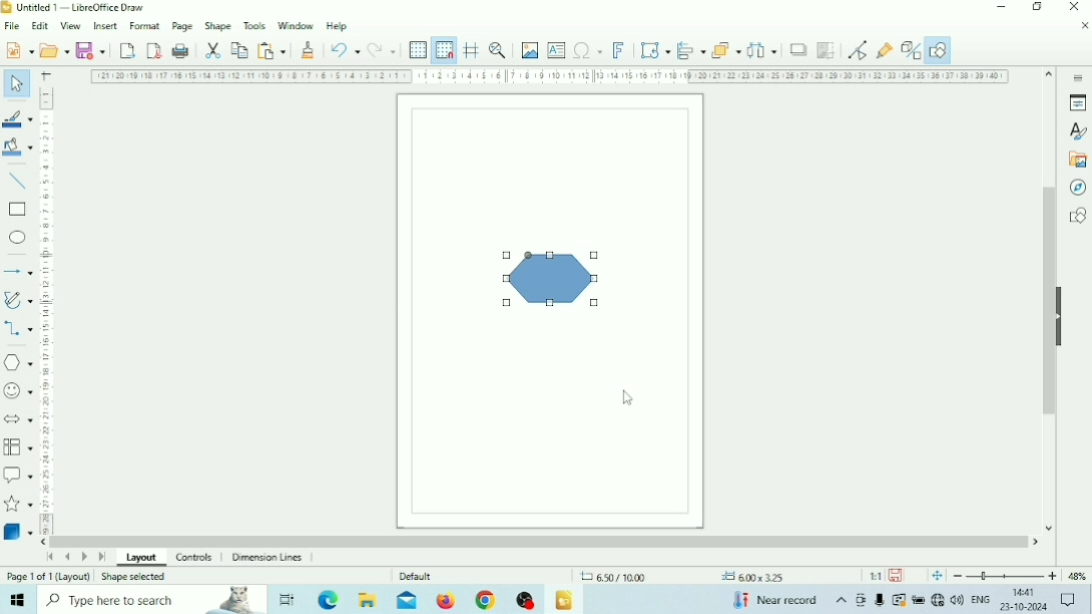  What do you see at coordinates (102, 559) in the screenshot?
I see `Scroll to last page` at bounding box center [102, 559].